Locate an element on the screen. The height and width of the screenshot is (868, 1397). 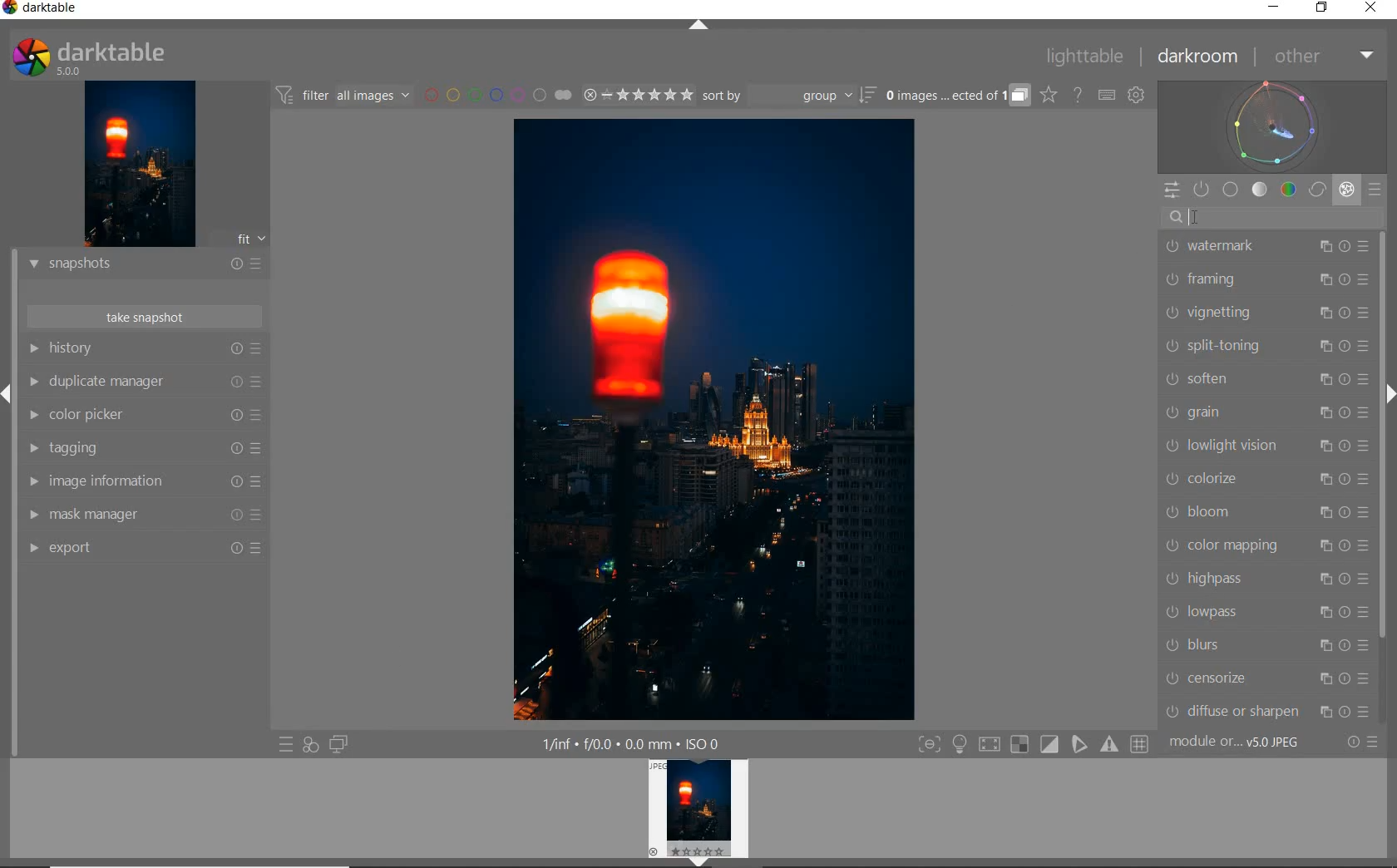
Reset is located at coordinates (1345, 245).